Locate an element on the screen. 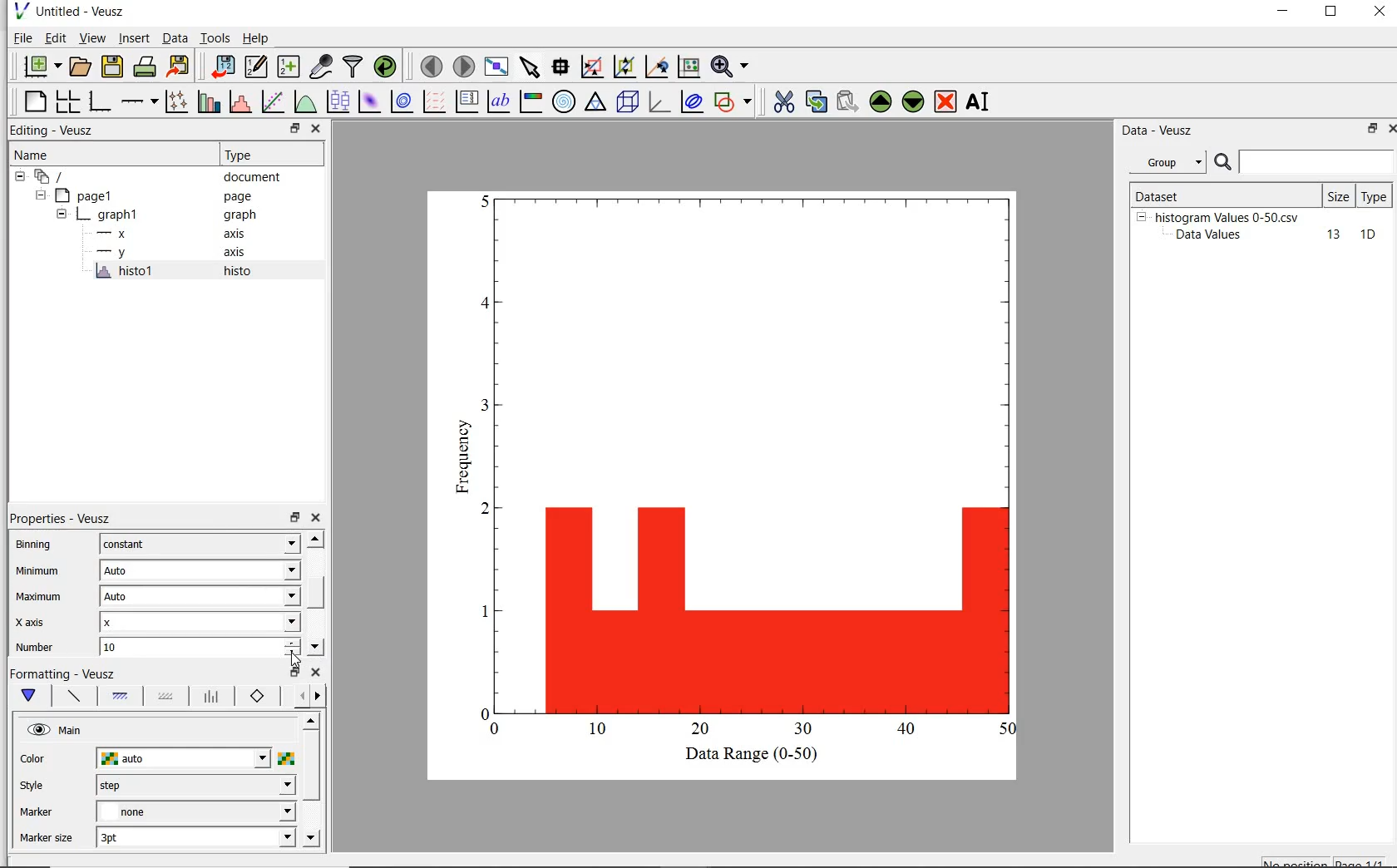 The width and height of the screenshot is (1397, 868). current document is located at coordinates (52, 177).